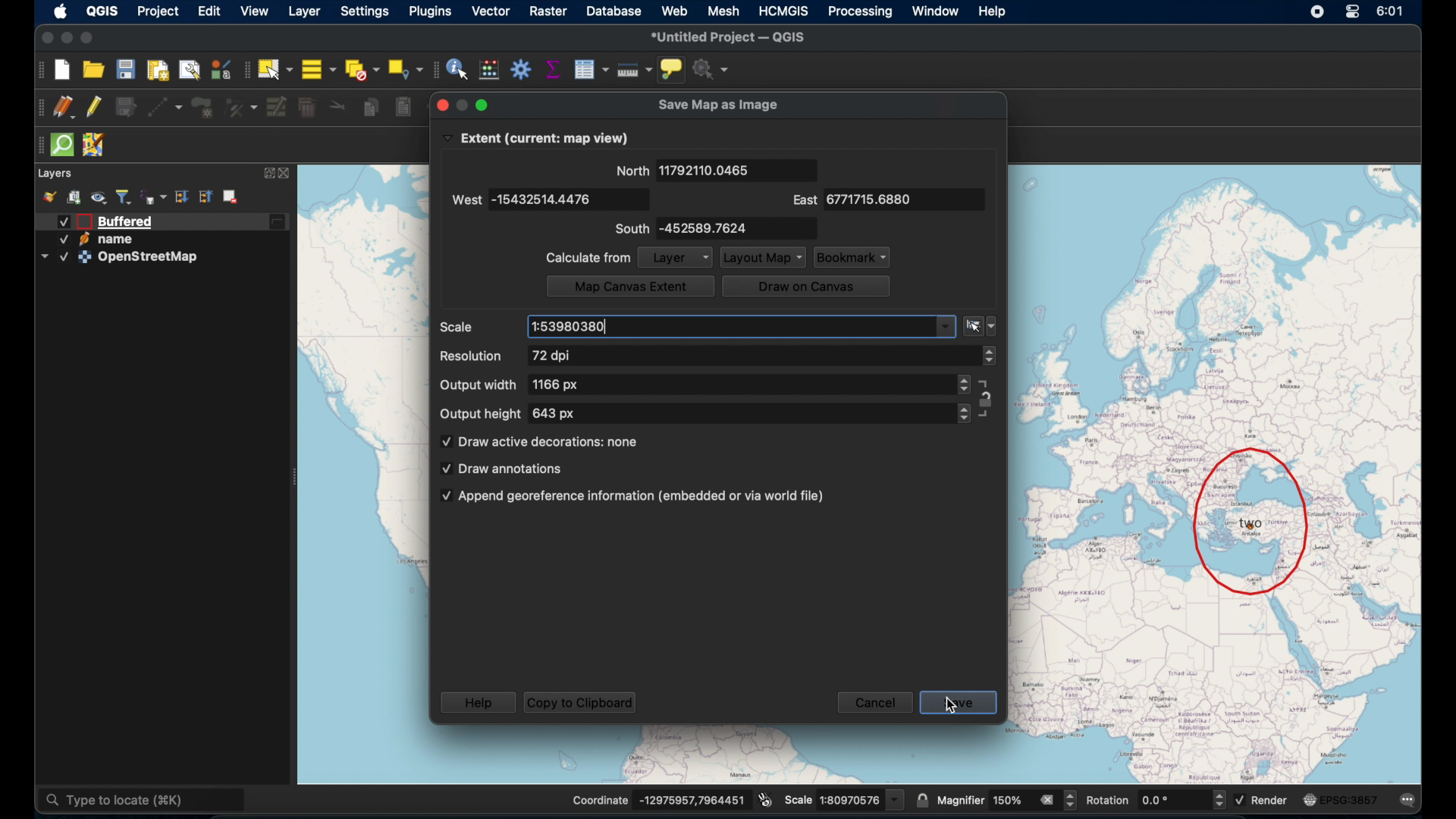 The height and width of the screenshot is (819, 1456). What do you see at coordinates (152, 259) in the screenshot?
I see `OpenStreetMap` at bounding box center [152, 259].